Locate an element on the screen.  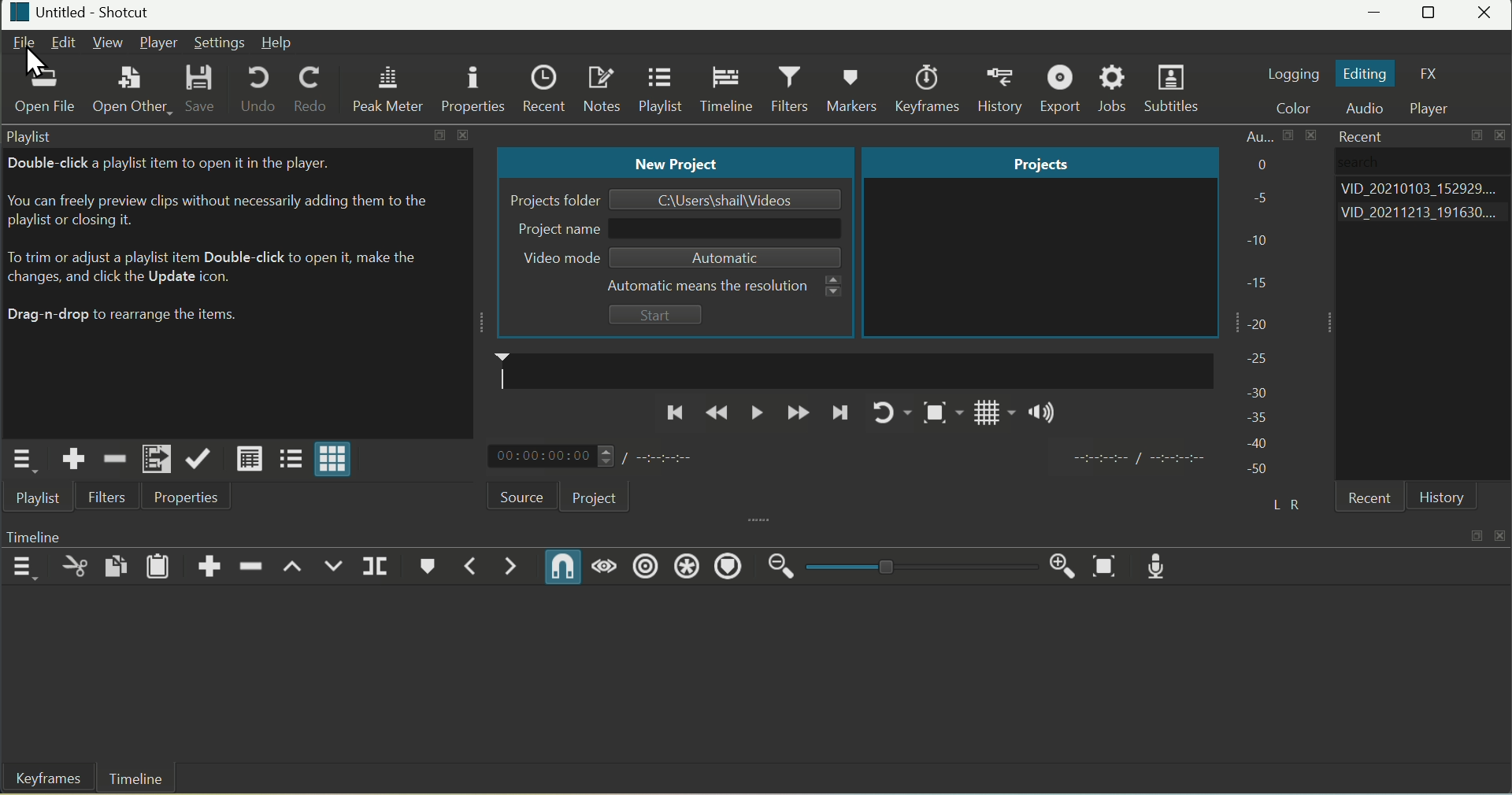
Add files to Playlist is located at coordinates (155, 458).